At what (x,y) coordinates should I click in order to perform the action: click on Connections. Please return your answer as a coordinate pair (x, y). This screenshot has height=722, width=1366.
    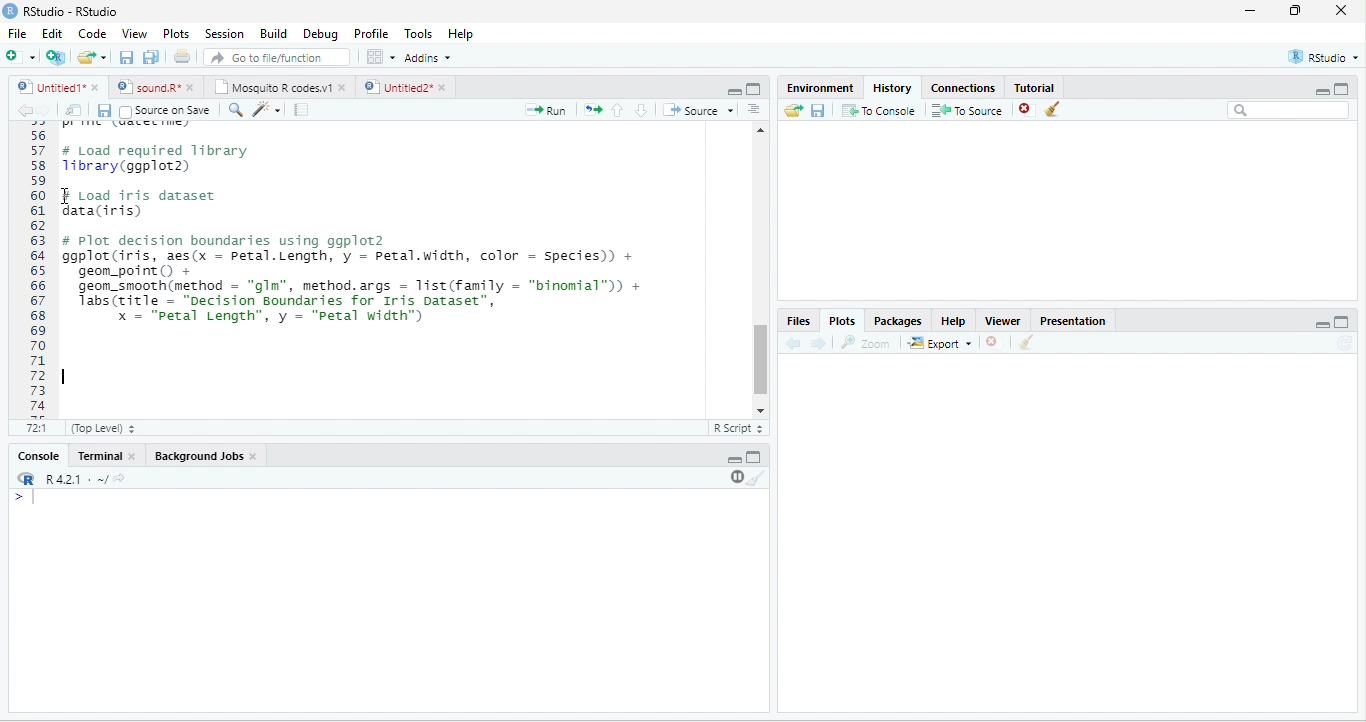
    Looking at the image, I should click on (962, 88).